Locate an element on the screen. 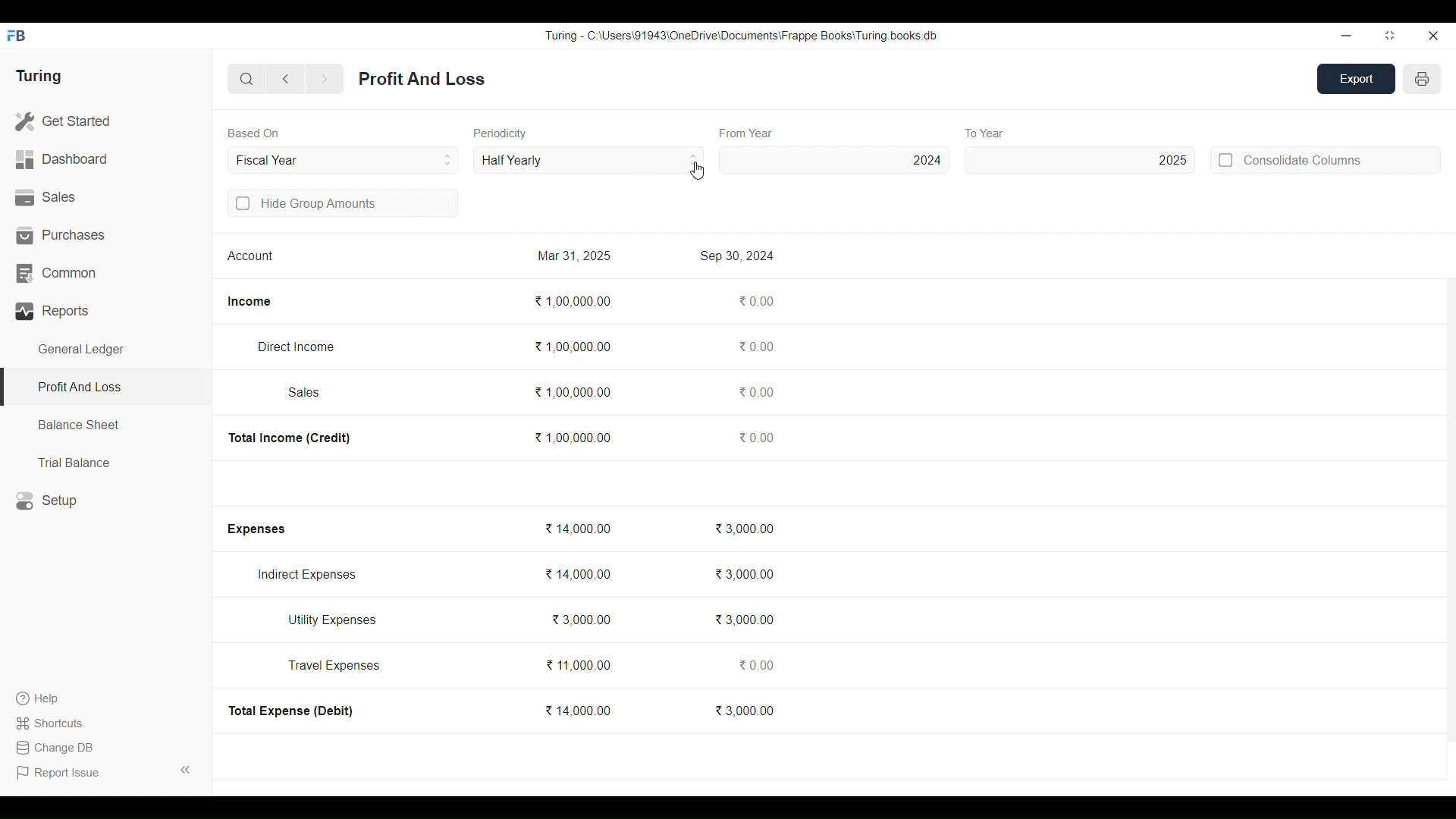 The height and width of the screenshot is (819, 1456). Consolidate Columns is located at coordinates (1325, 159).